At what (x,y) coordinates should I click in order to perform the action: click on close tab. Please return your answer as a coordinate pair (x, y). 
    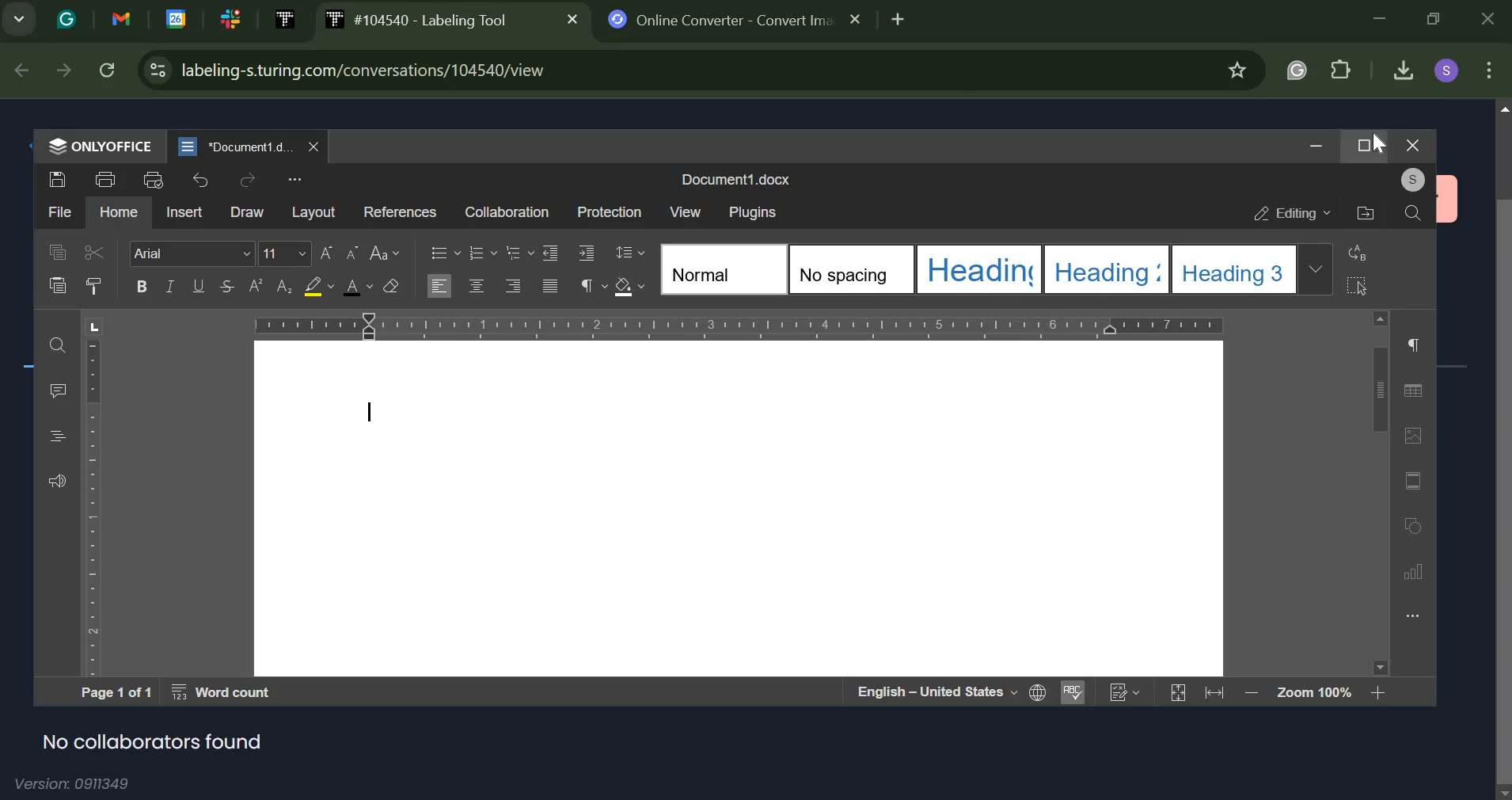
    Looking at the image, I should click on (314, 146).